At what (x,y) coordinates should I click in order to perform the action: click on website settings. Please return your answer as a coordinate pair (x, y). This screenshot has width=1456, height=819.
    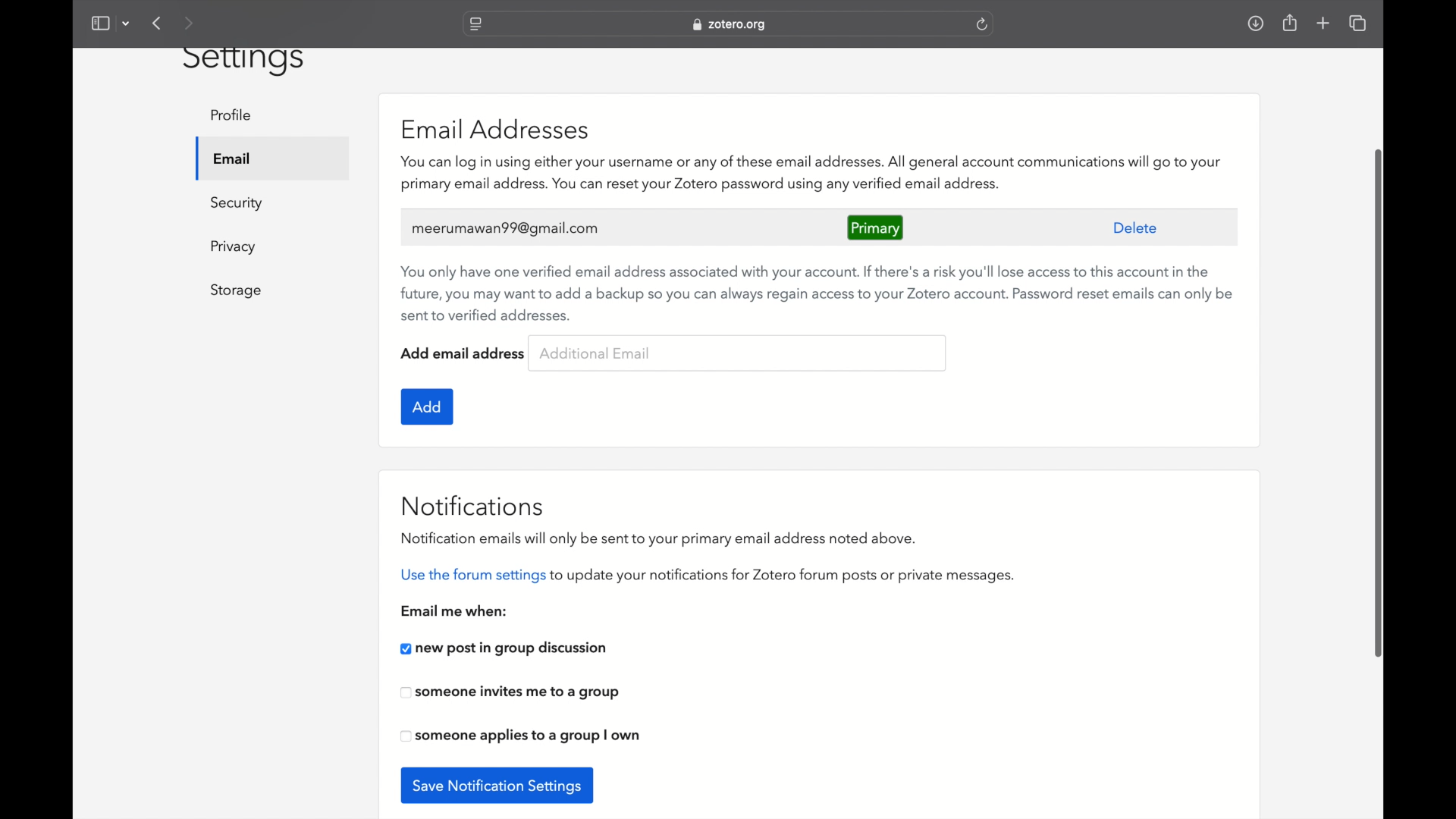
    Looking at the image, I should click on (475, 24).